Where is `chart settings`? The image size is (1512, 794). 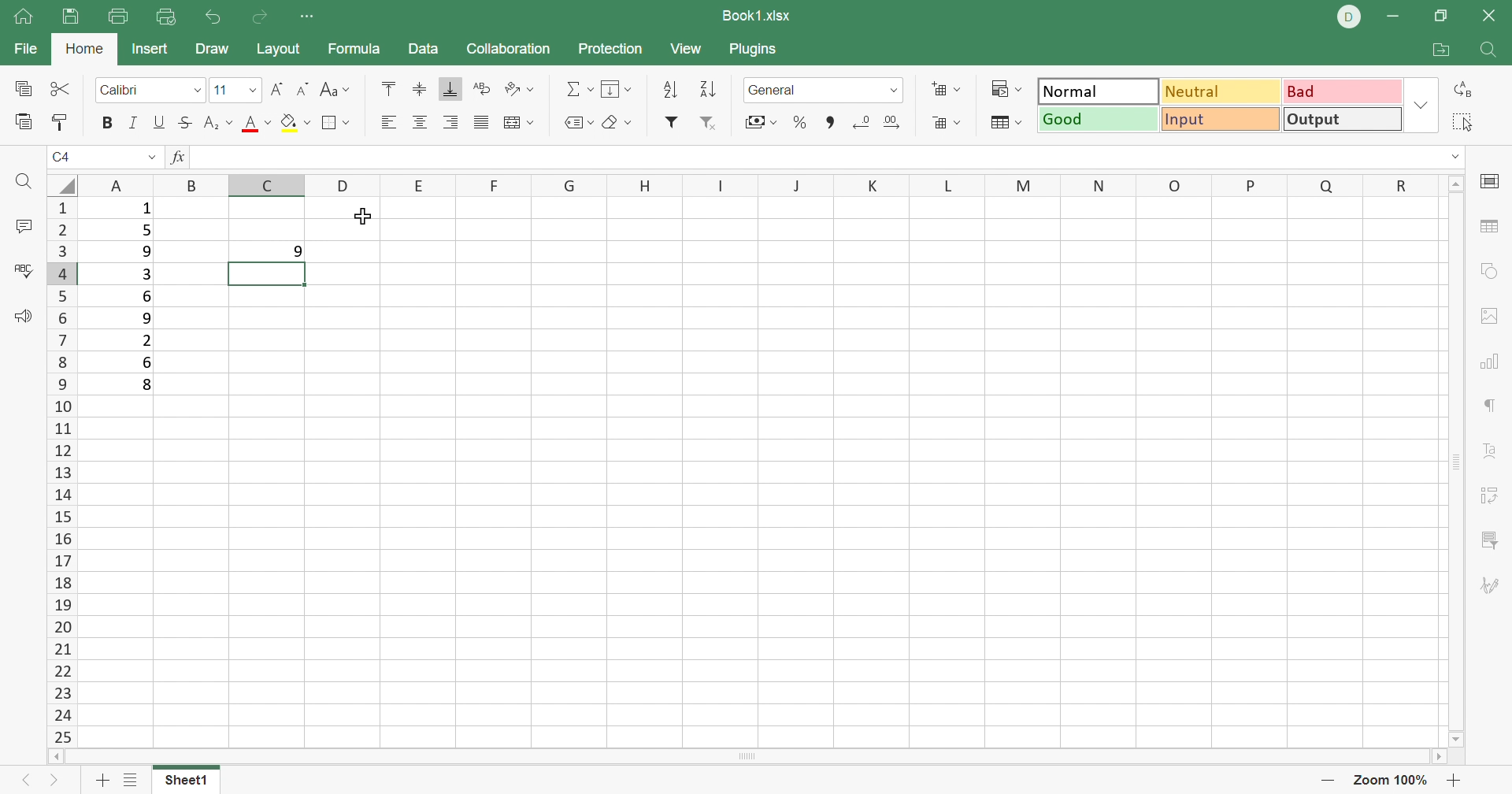 chart settings is located at coordinates (1491, 363).